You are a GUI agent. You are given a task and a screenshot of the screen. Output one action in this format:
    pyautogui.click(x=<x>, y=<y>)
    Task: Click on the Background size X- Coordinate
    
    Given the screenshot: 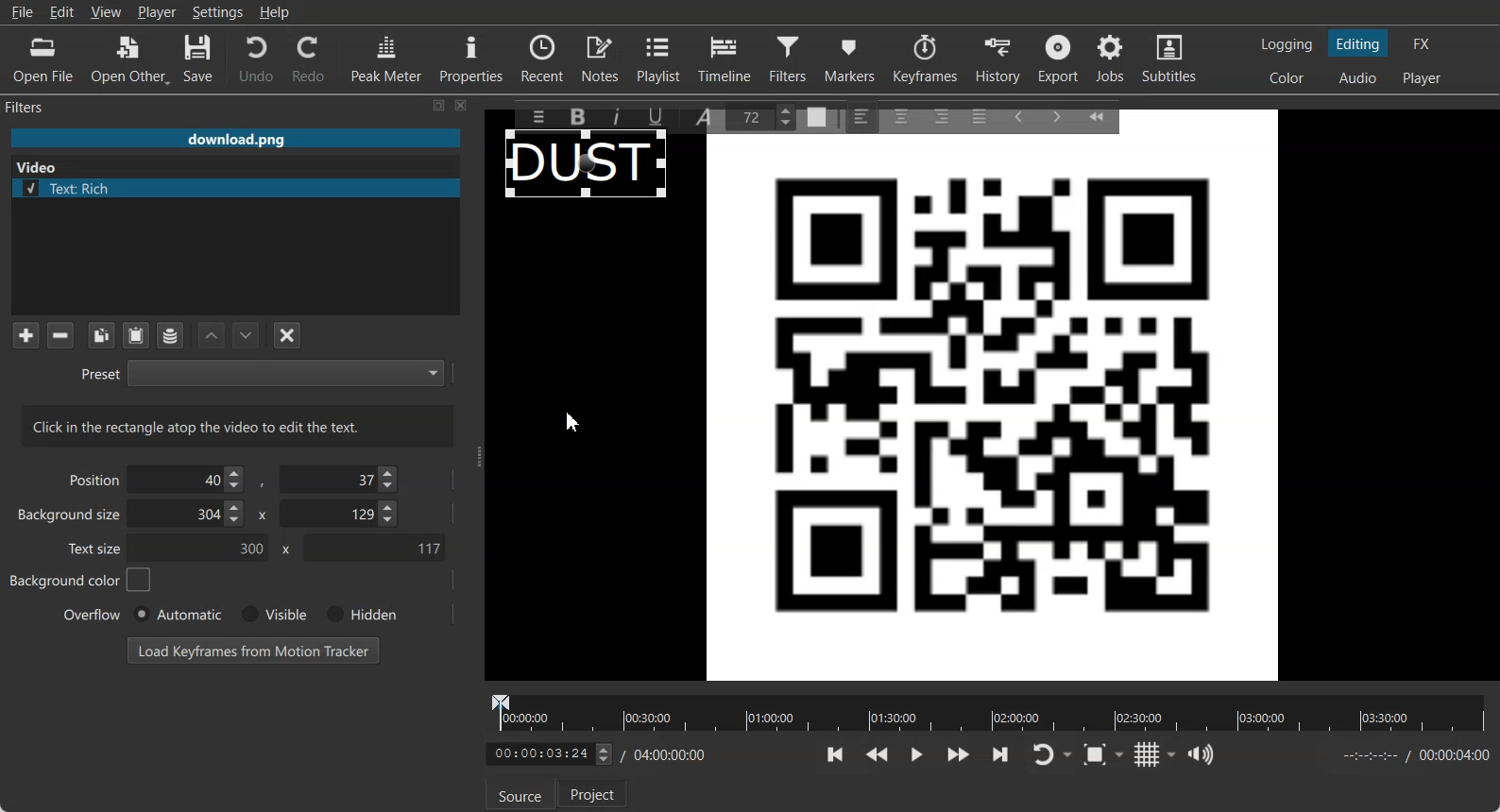 What is the action you would take?
    pyautogui.click(x=190, y=516)
    